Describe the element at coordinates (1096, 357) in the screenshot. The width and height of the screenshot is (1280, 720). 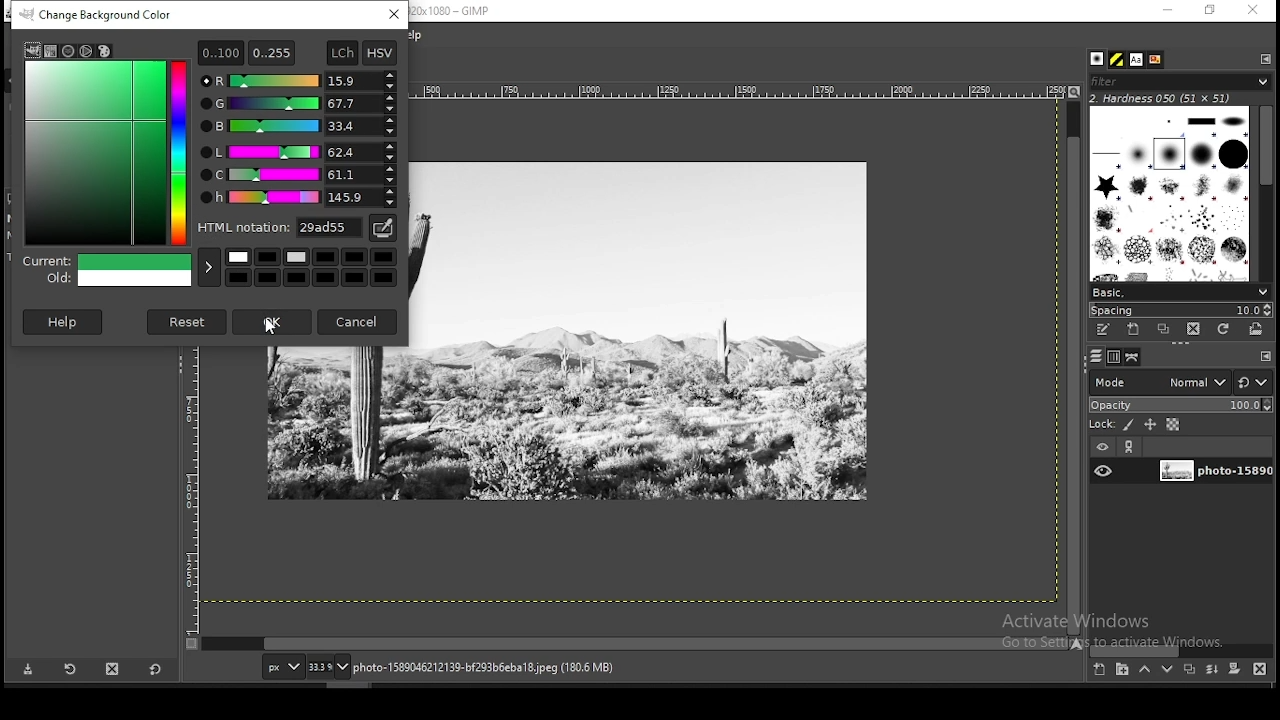
I see `layers` at that location.